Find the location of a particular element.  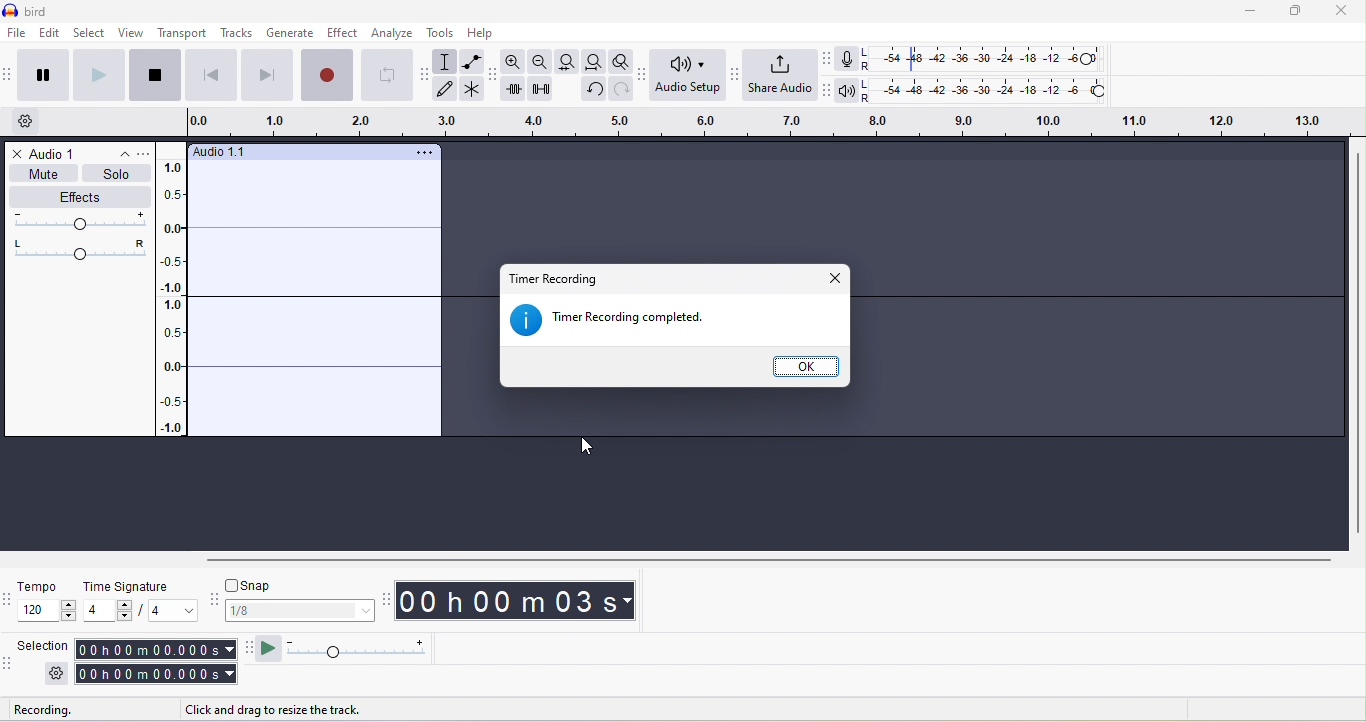

Cursor is located at coordinates (577, 445).